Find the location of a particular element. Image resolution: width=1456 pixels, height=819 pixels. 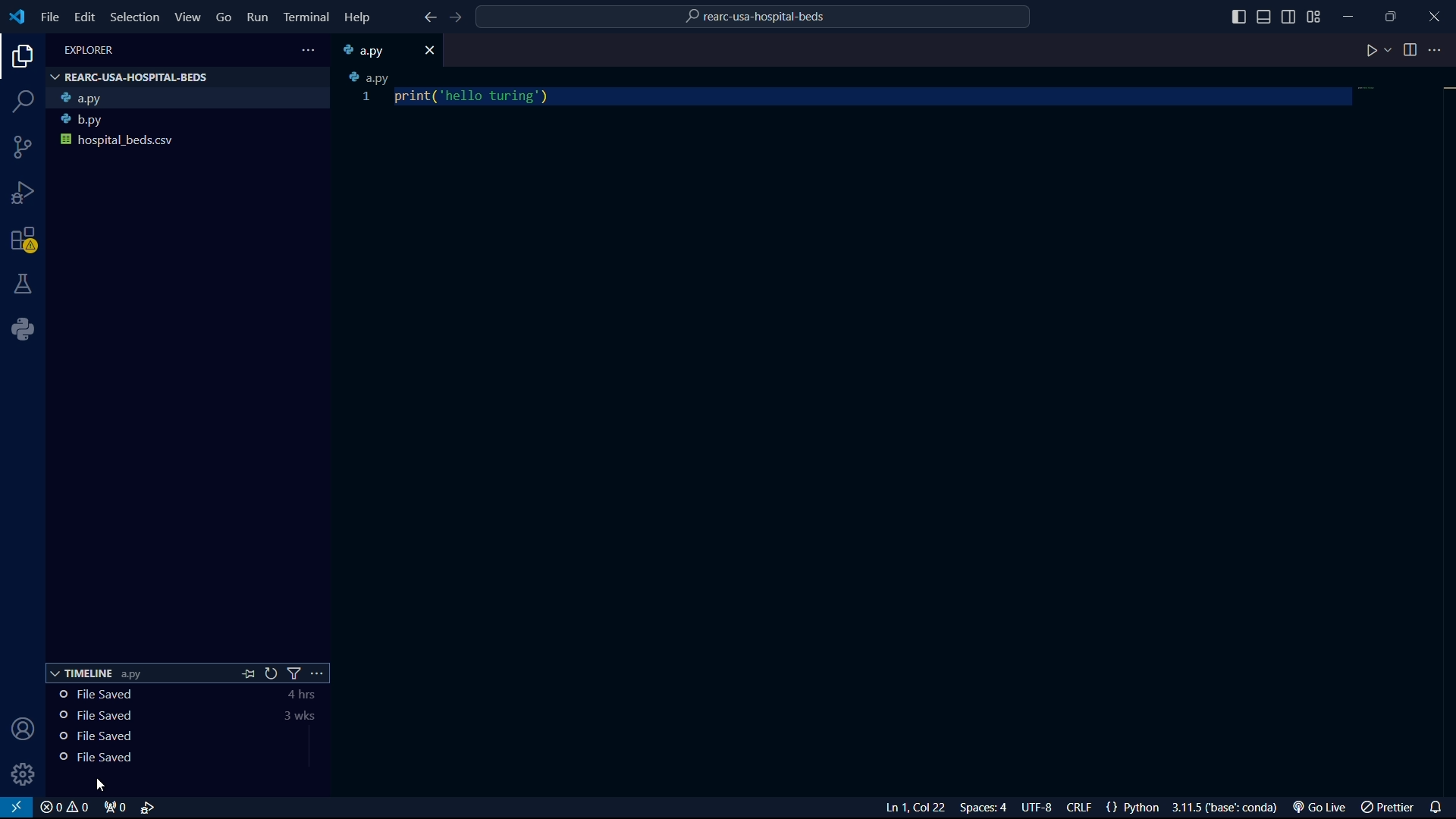

run code is located at coordinates (1370, 52).